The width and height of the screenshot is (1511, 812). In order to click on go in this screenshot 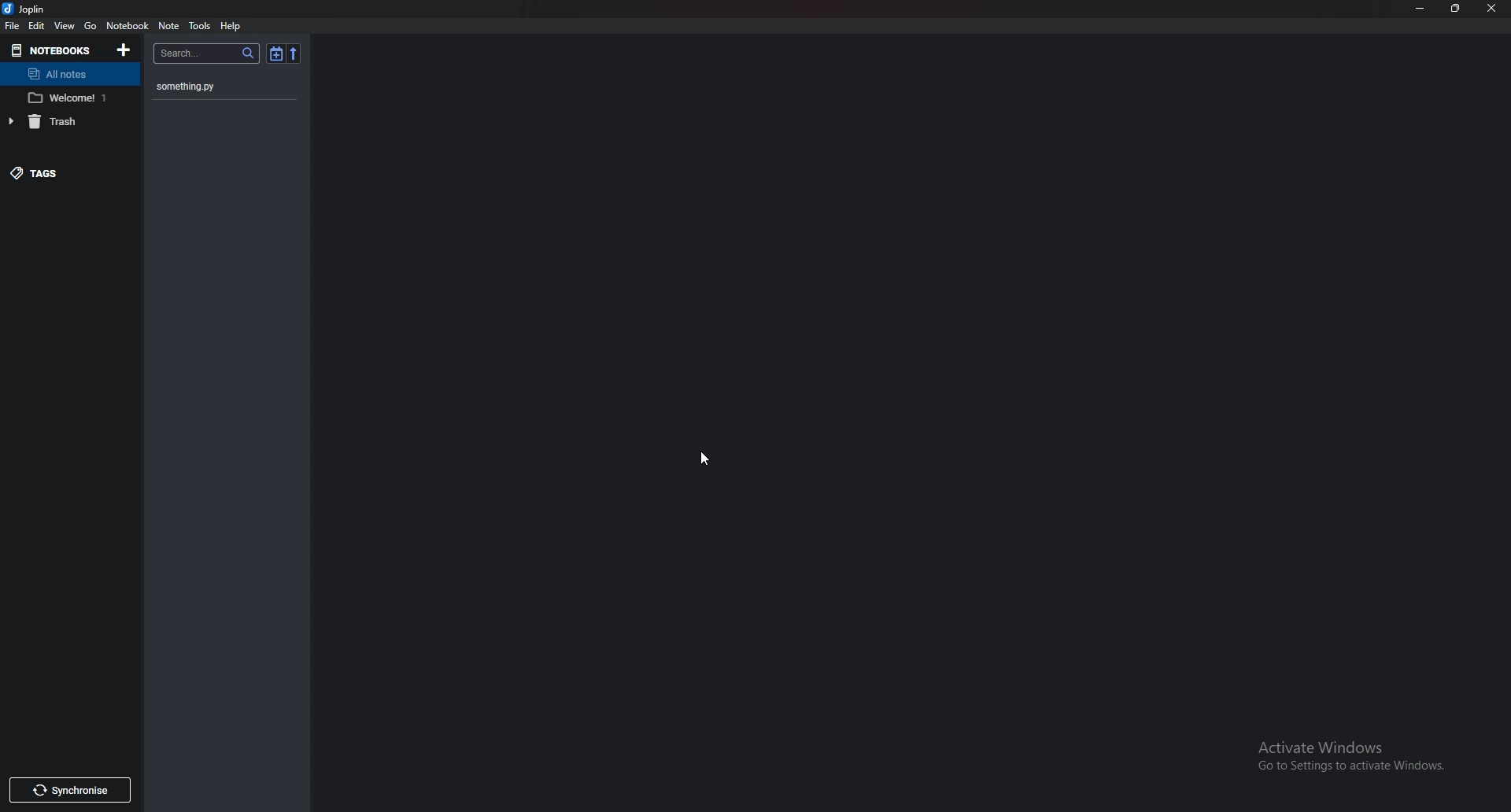, I will do `click(90, 27)`.